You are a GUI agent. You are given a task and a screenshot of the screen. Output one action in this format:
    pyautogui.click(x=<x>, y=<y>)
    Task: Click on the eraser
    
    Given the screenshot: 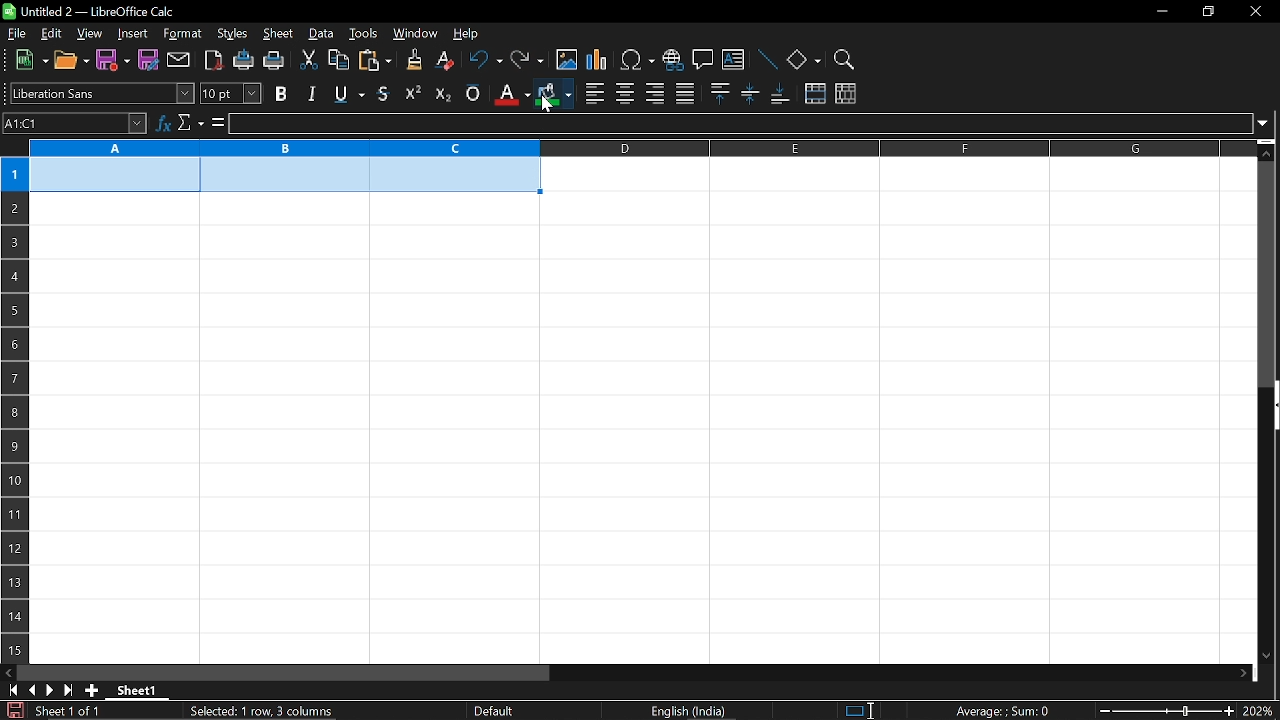 What is the action you would take?
    pyautogui.click(x=442, y=61)
    